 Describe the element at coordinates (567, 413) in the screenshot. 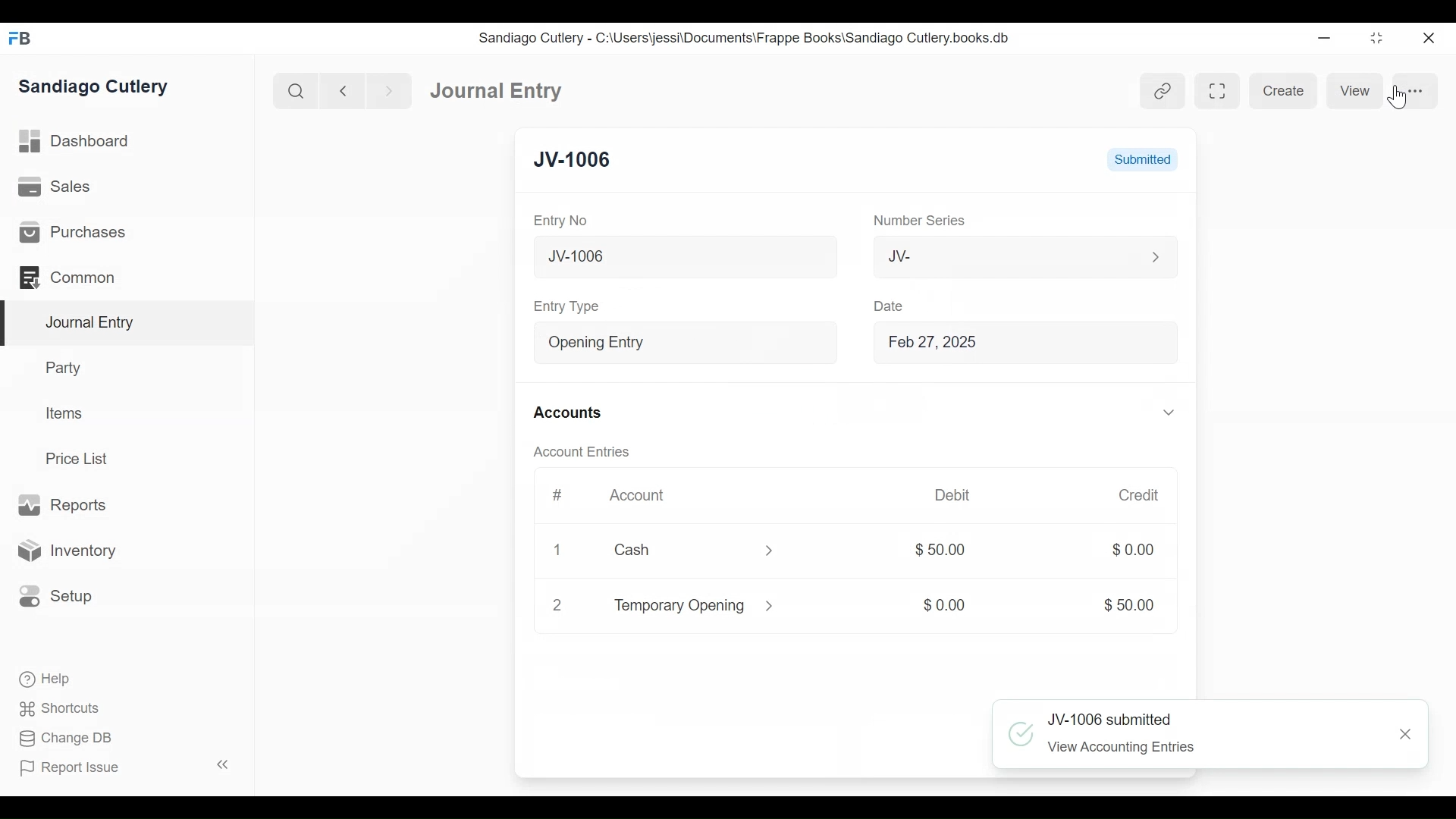

I see `Accounts` at that location.